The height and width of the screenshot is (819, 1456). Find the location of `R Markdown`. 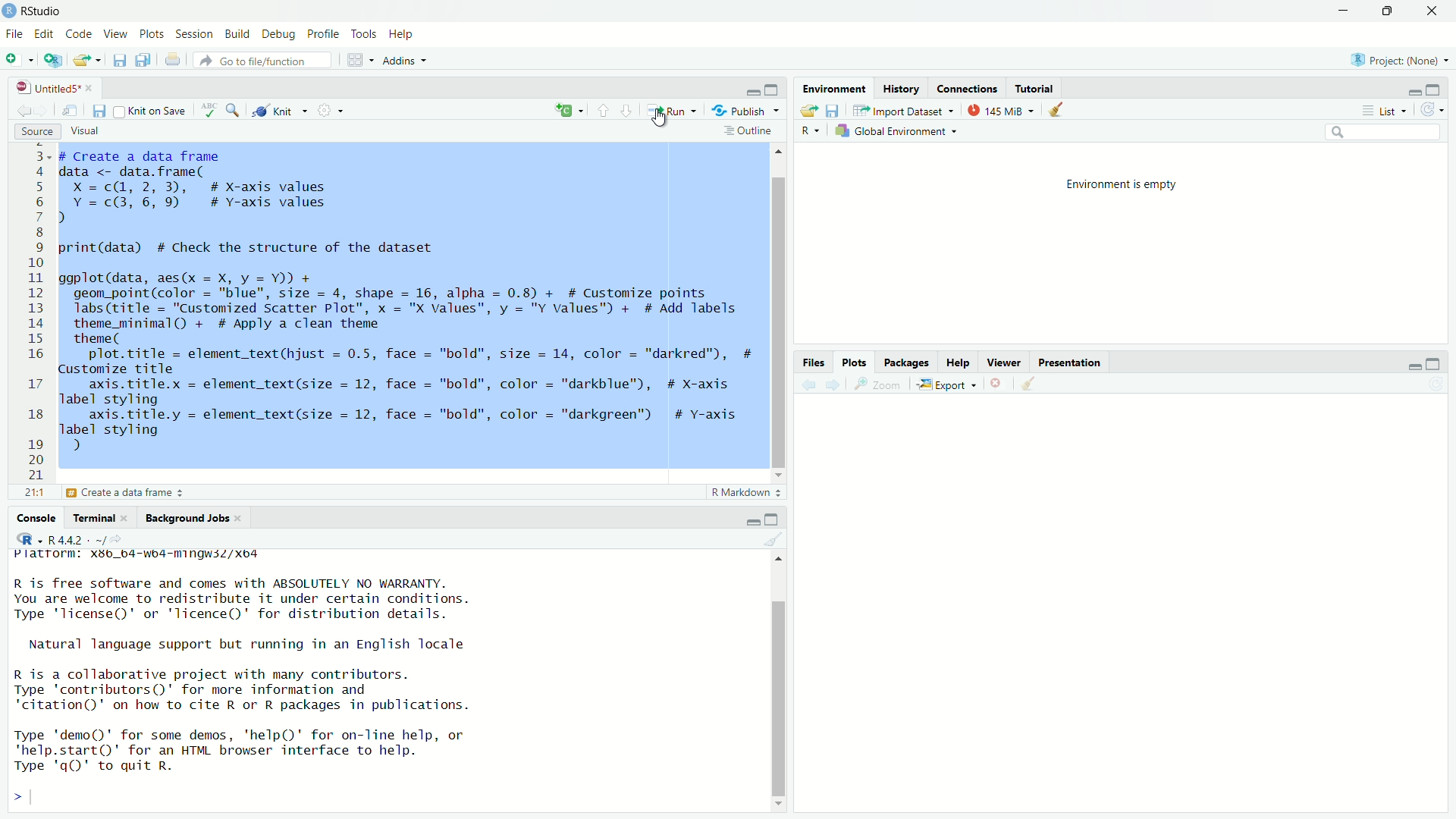

R Markdown is located at coordinates (746, 494).